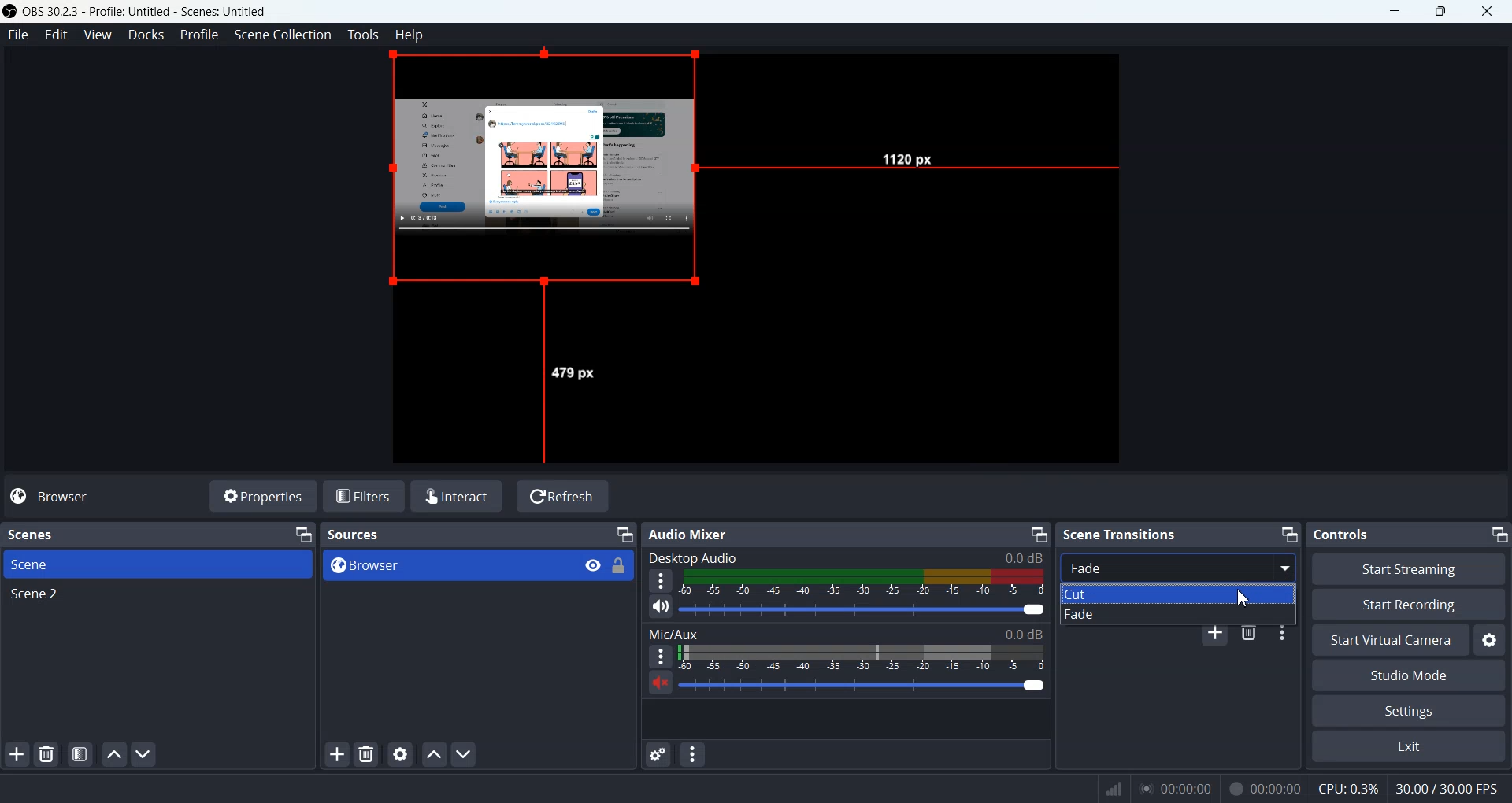 This screenshot has height=803, width=1512. I want to click on Profile, so click(200, 35).